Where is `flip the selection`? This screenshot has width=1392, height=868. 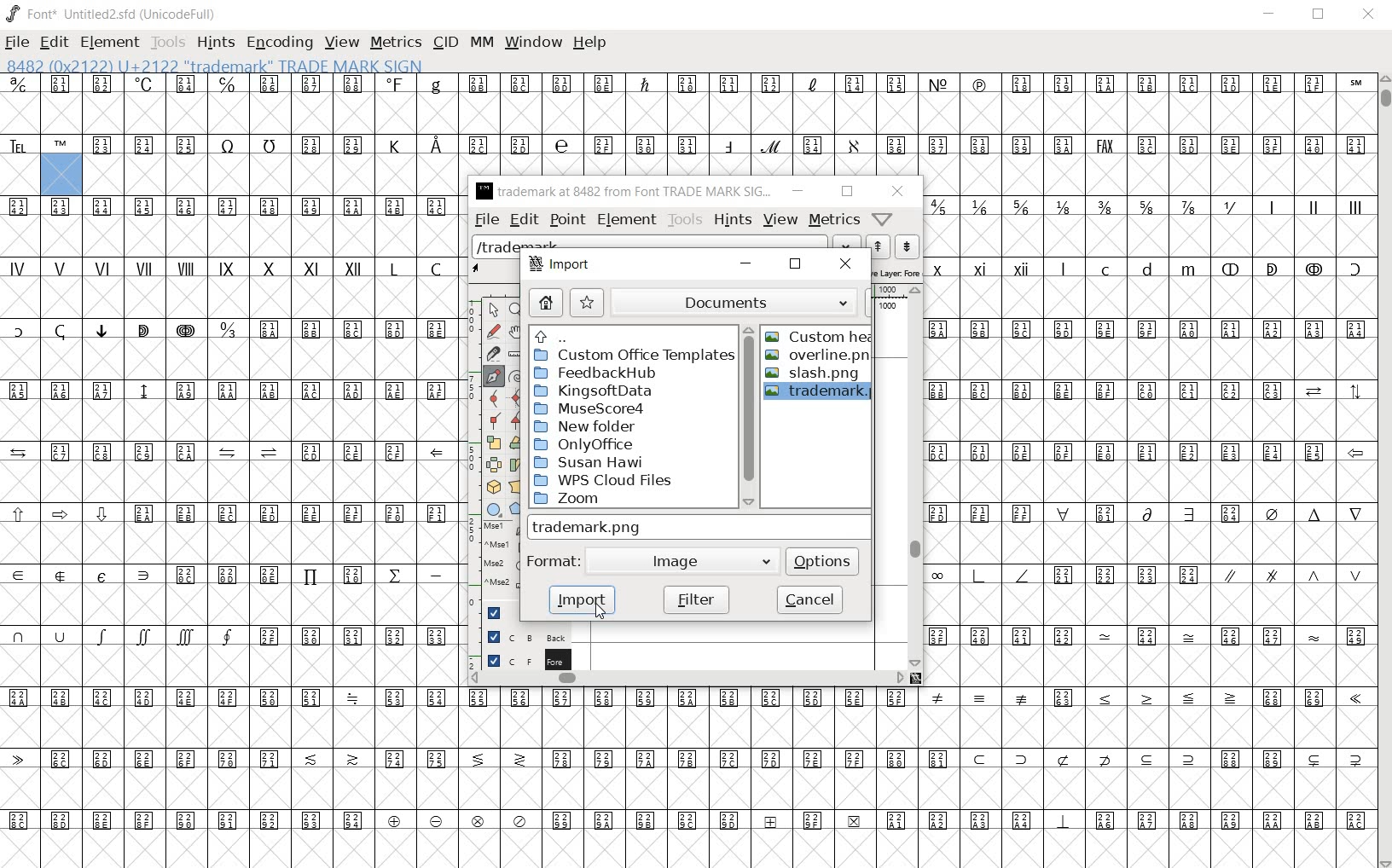
flip the selection is located at coordinates (494, 465).